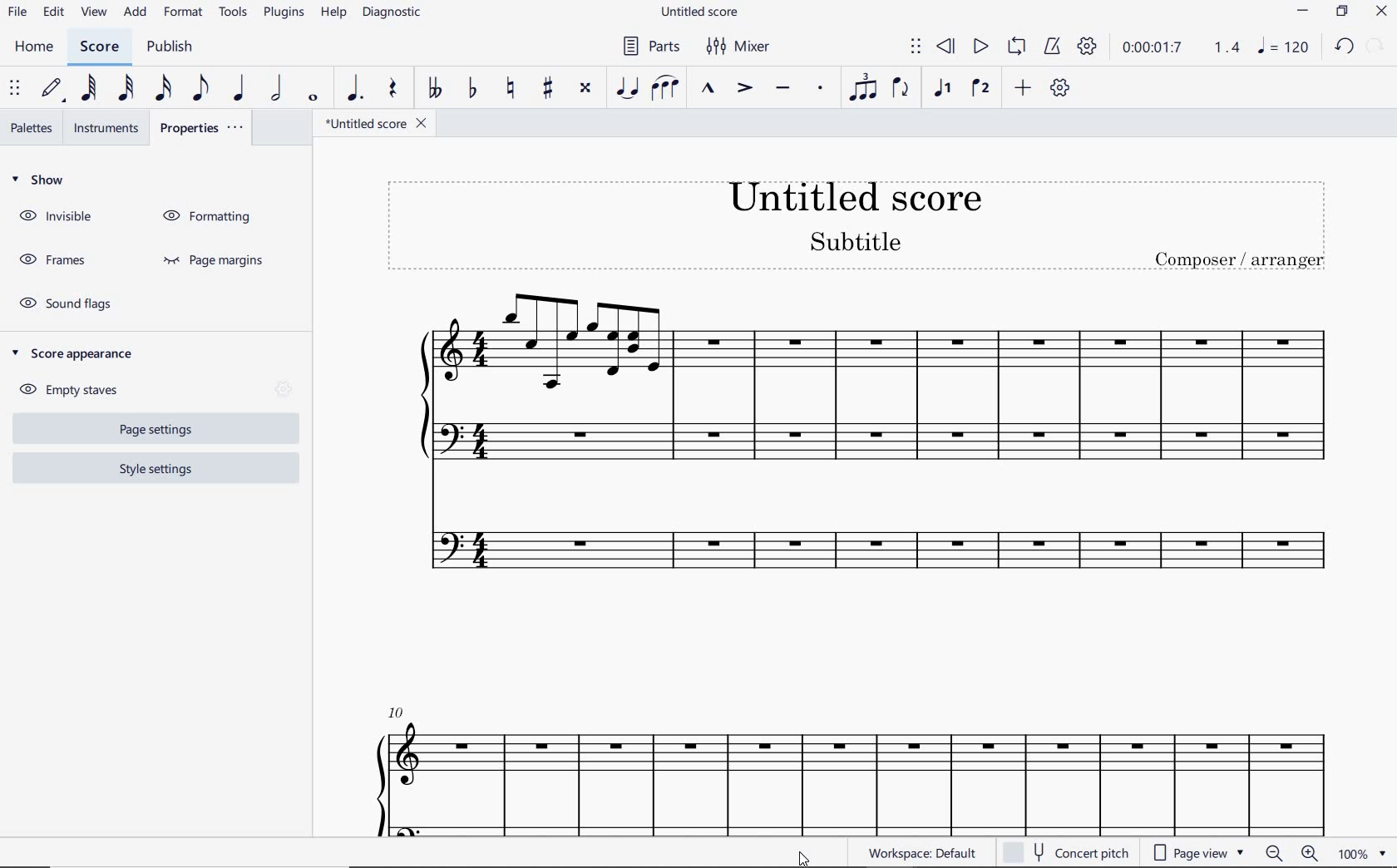 The height and width of the screenshot is (868, 1397). Describe the element at coordinates (76, 387) in the screenshot. I see `EMPTY STAVES` at that location.